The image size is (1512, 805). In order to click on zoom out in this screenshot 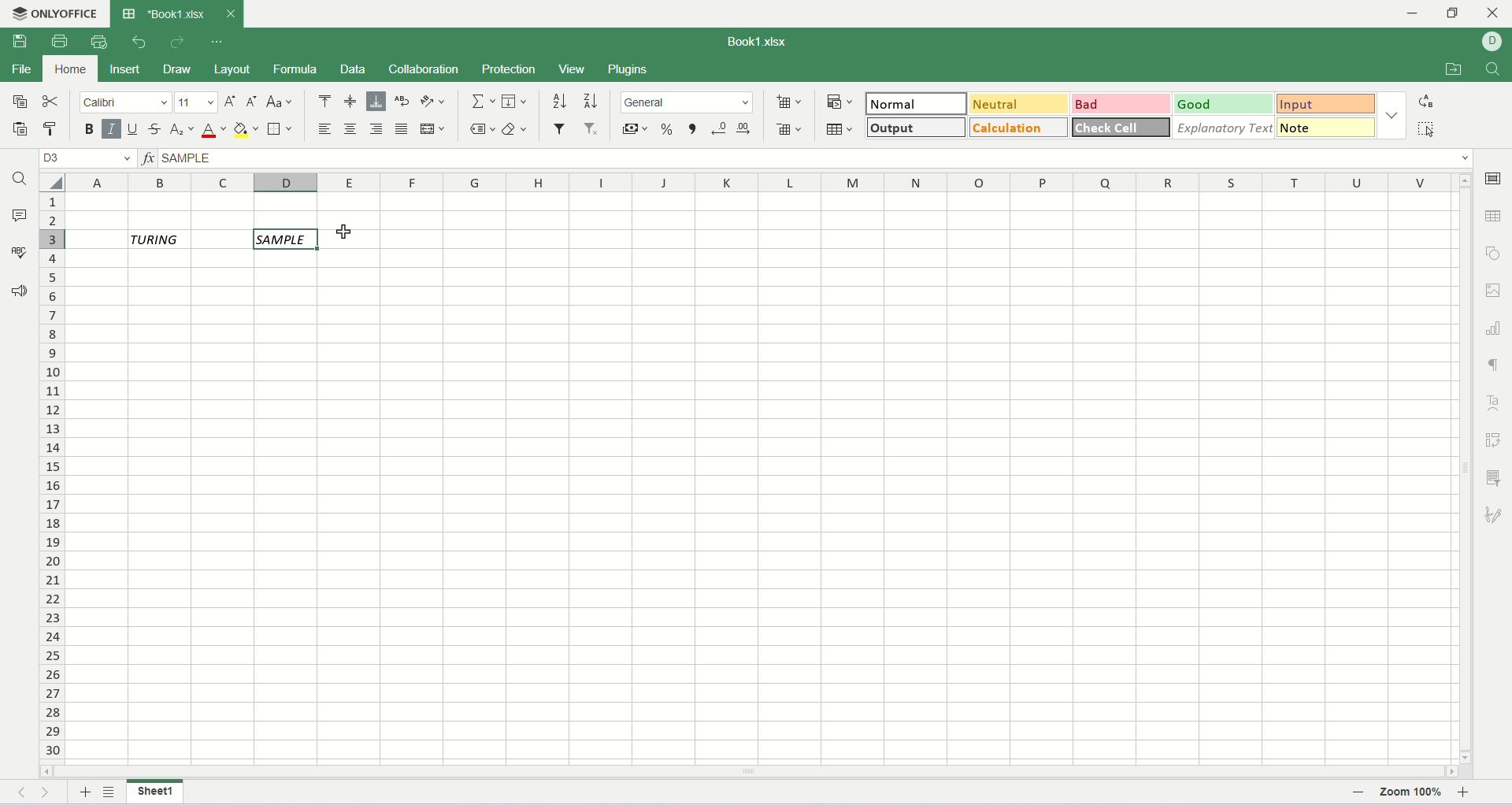, I will do `click(1361, 796)`.